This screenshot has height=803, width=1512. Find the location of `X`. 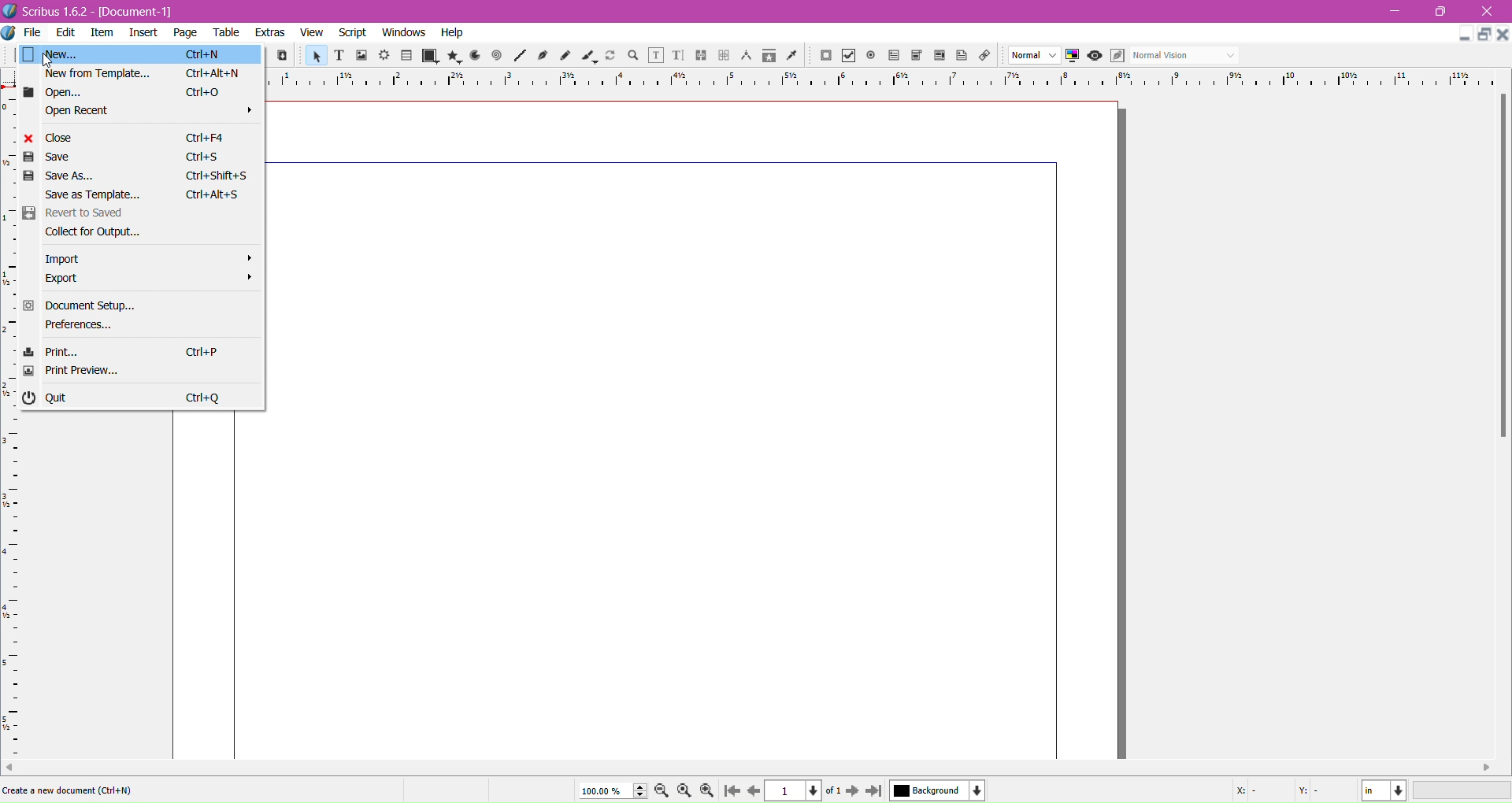

X is located at coordinates (1247, 793).